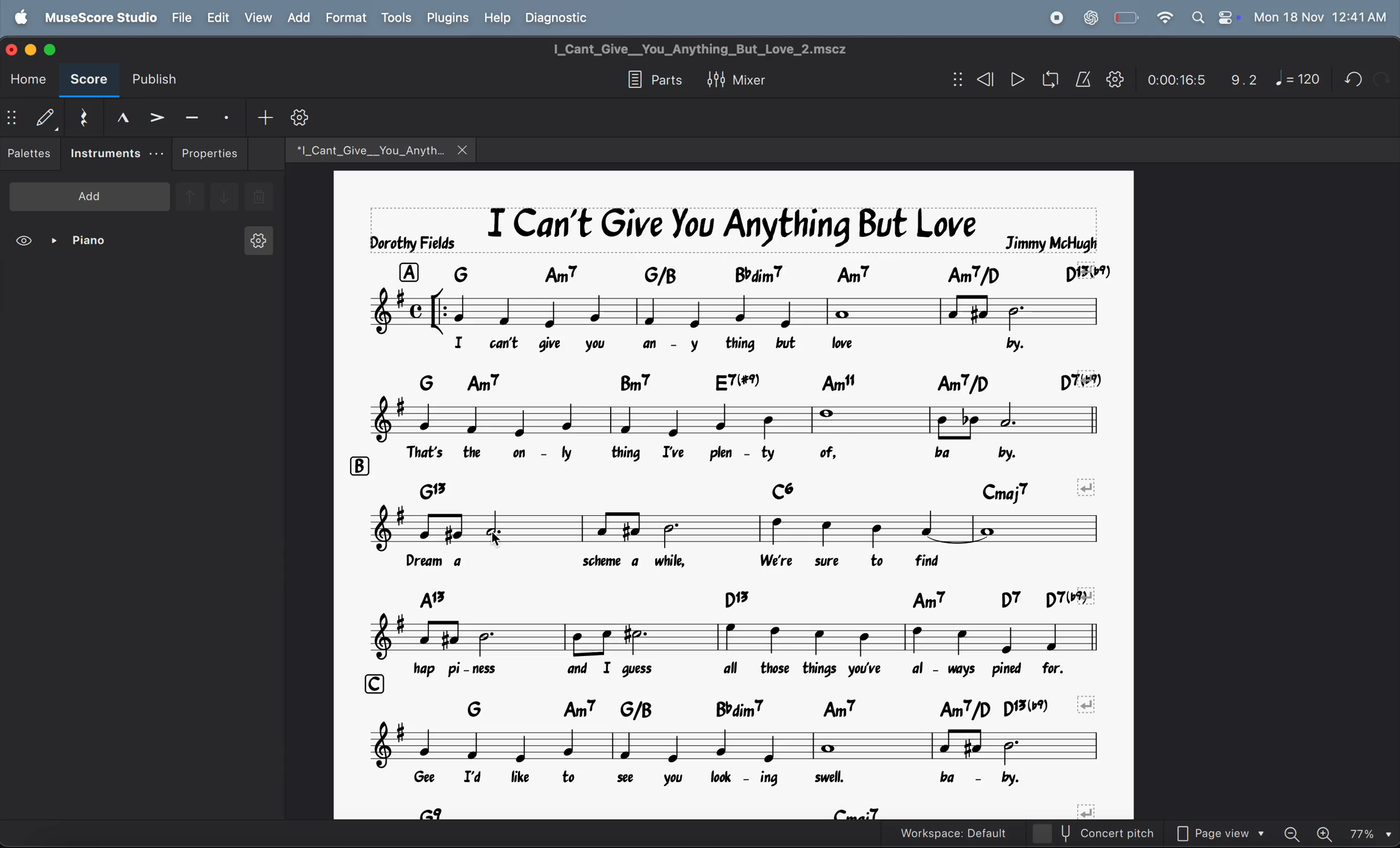 The height and width of the screenshot is (848, 1400). What do you see at coordinates (33, 49) in the screenshot?
I see `minimize` at bounding box center [33, 49].